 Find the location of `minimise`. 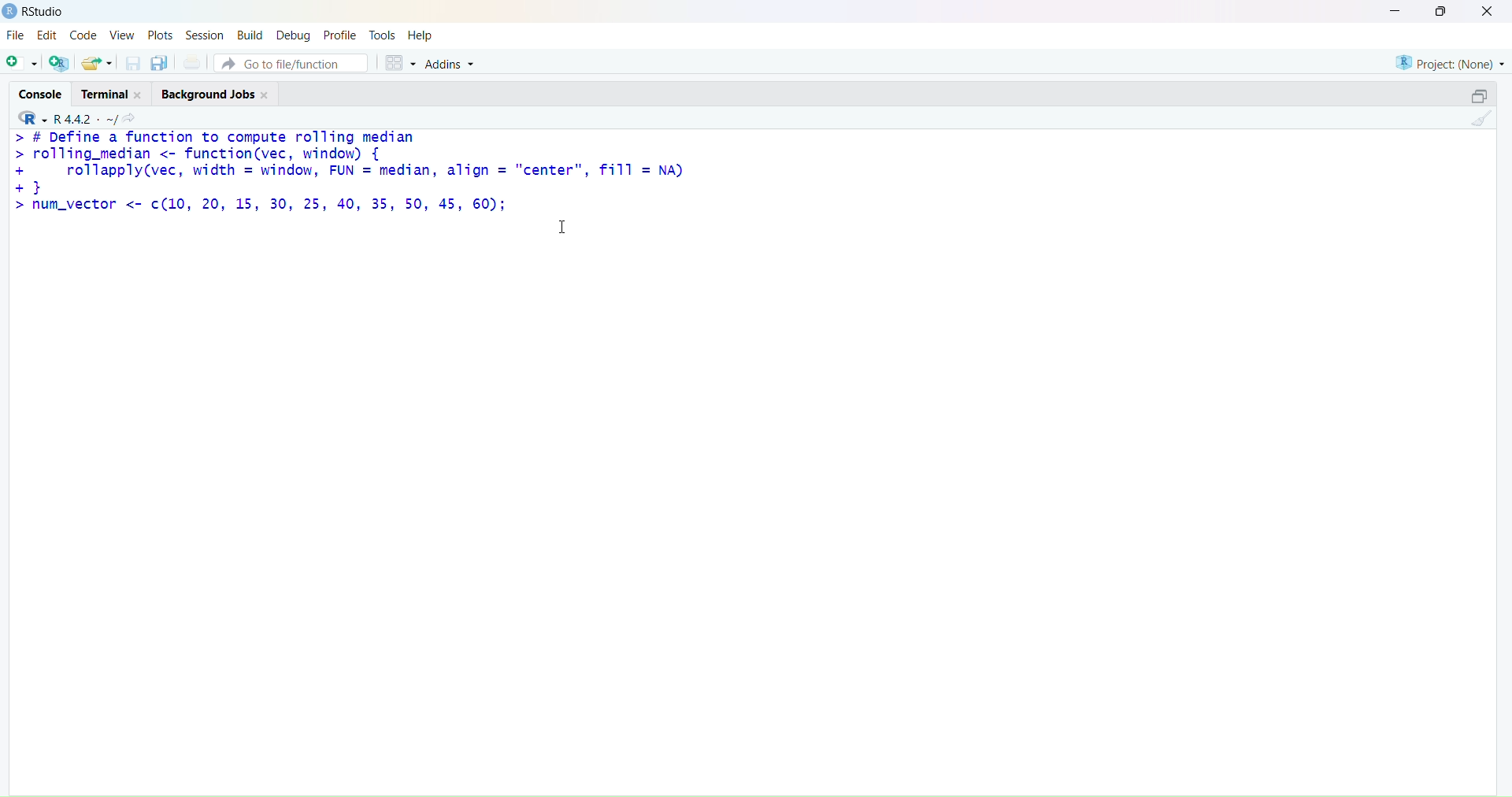

minimise is located at coordinates (1395, 9).